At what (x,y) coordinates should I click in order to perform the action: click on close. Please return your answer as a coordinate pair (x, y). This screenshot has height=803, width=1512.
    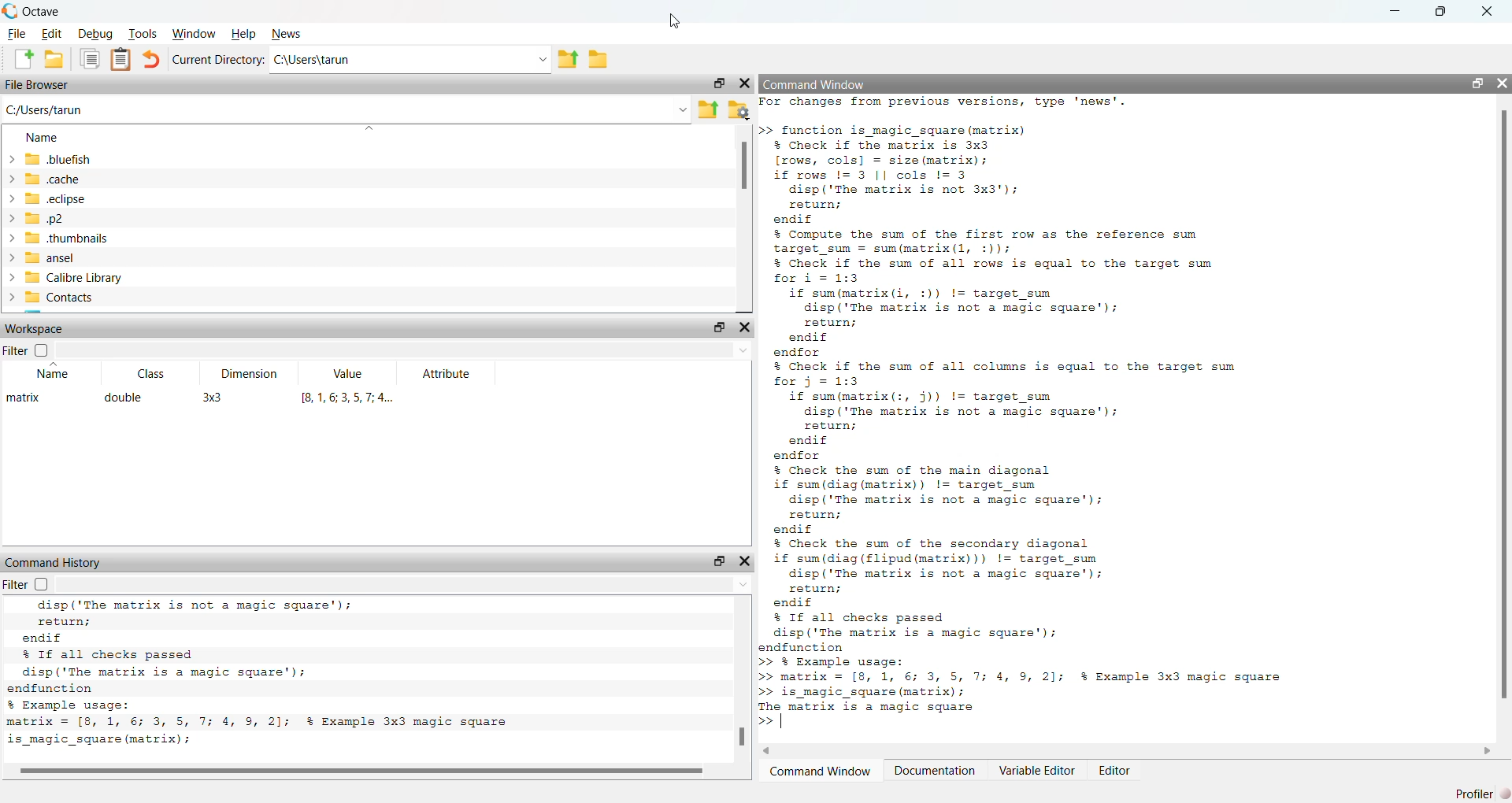
    Looking at the image, I should click on (744, 561).